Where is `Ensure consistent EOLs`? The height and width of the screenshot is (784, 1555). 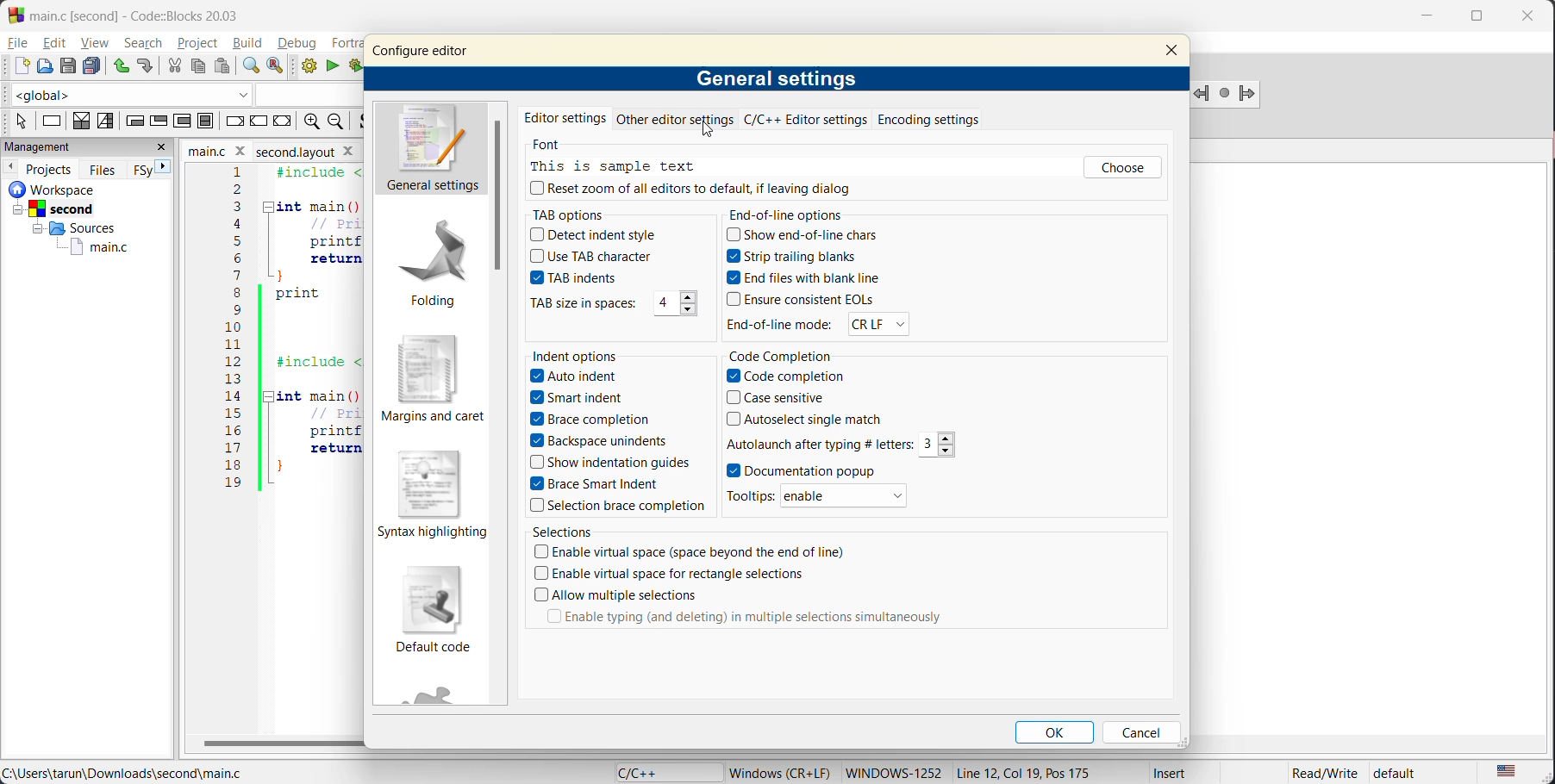
Ensure consistent EOLs is located at coordinates (806, 299).